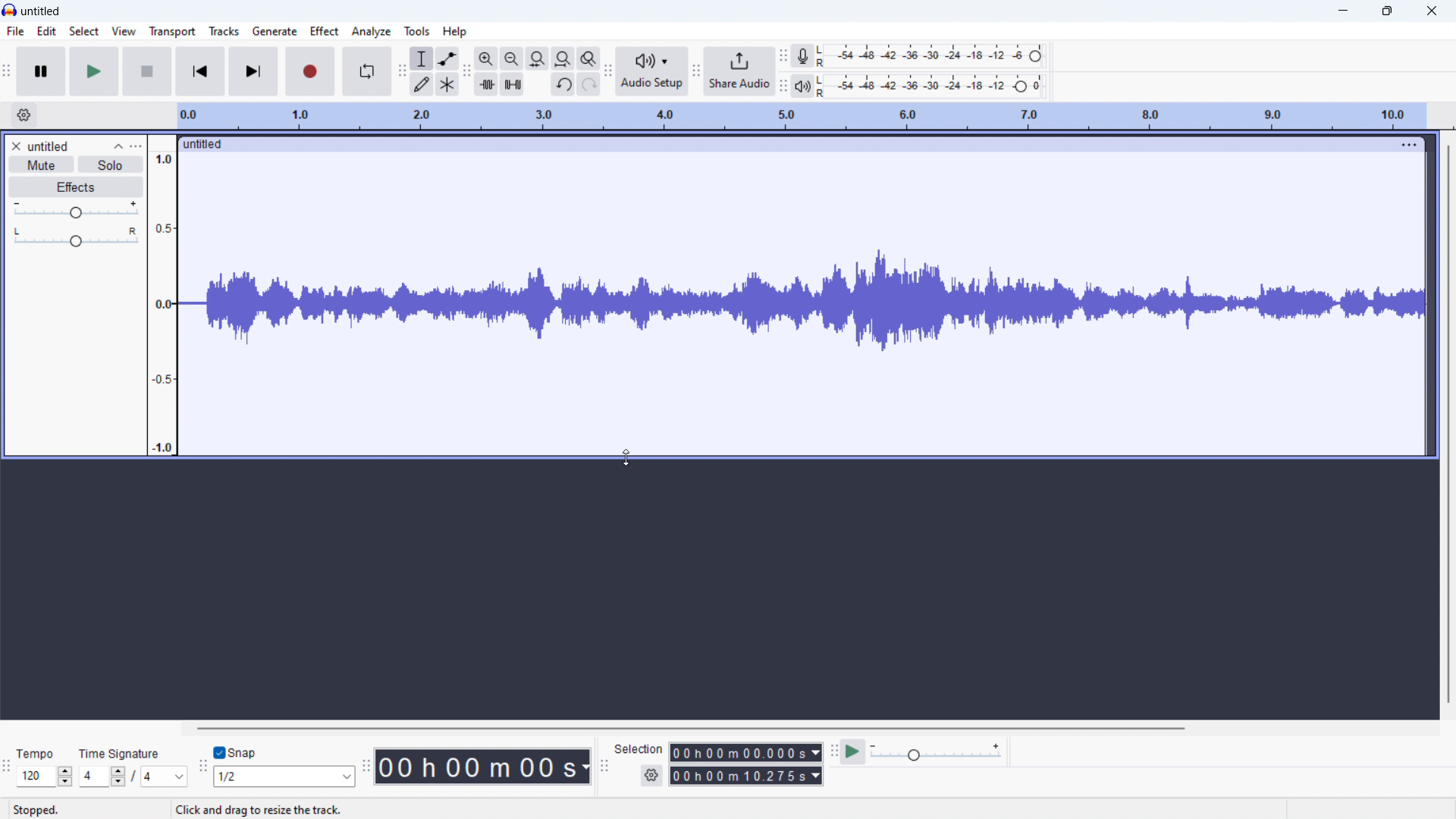  Describe the element at coordinates (121, 752) in the screenshot. I see `Time signature` at that location.